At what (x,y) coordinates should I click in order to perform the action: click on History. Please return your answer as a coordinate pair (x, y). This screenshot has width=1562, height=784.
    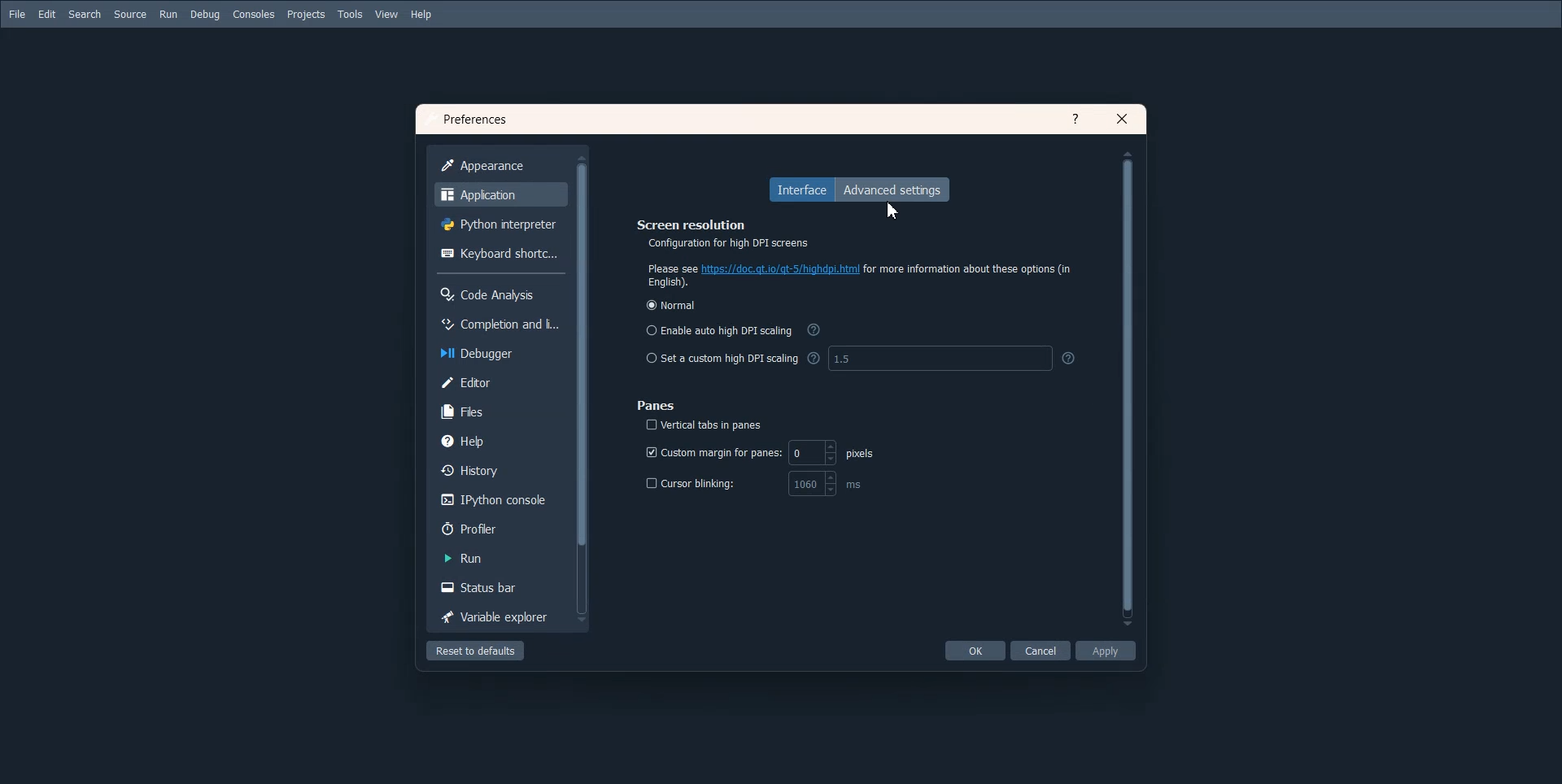
    Looking at the image, I should click on (499, 472).